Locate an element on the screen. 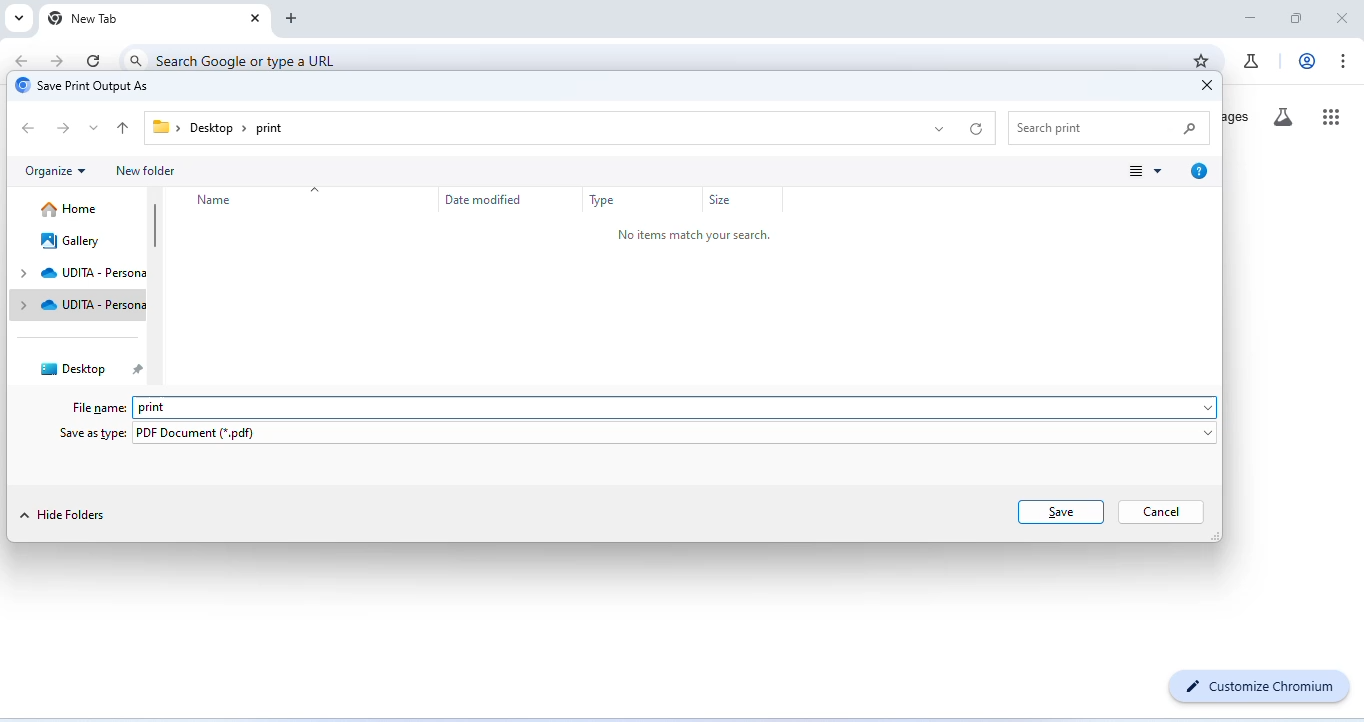 The width and height of the screenshot is (1364, 722). name is located at coordinates (217, 201).